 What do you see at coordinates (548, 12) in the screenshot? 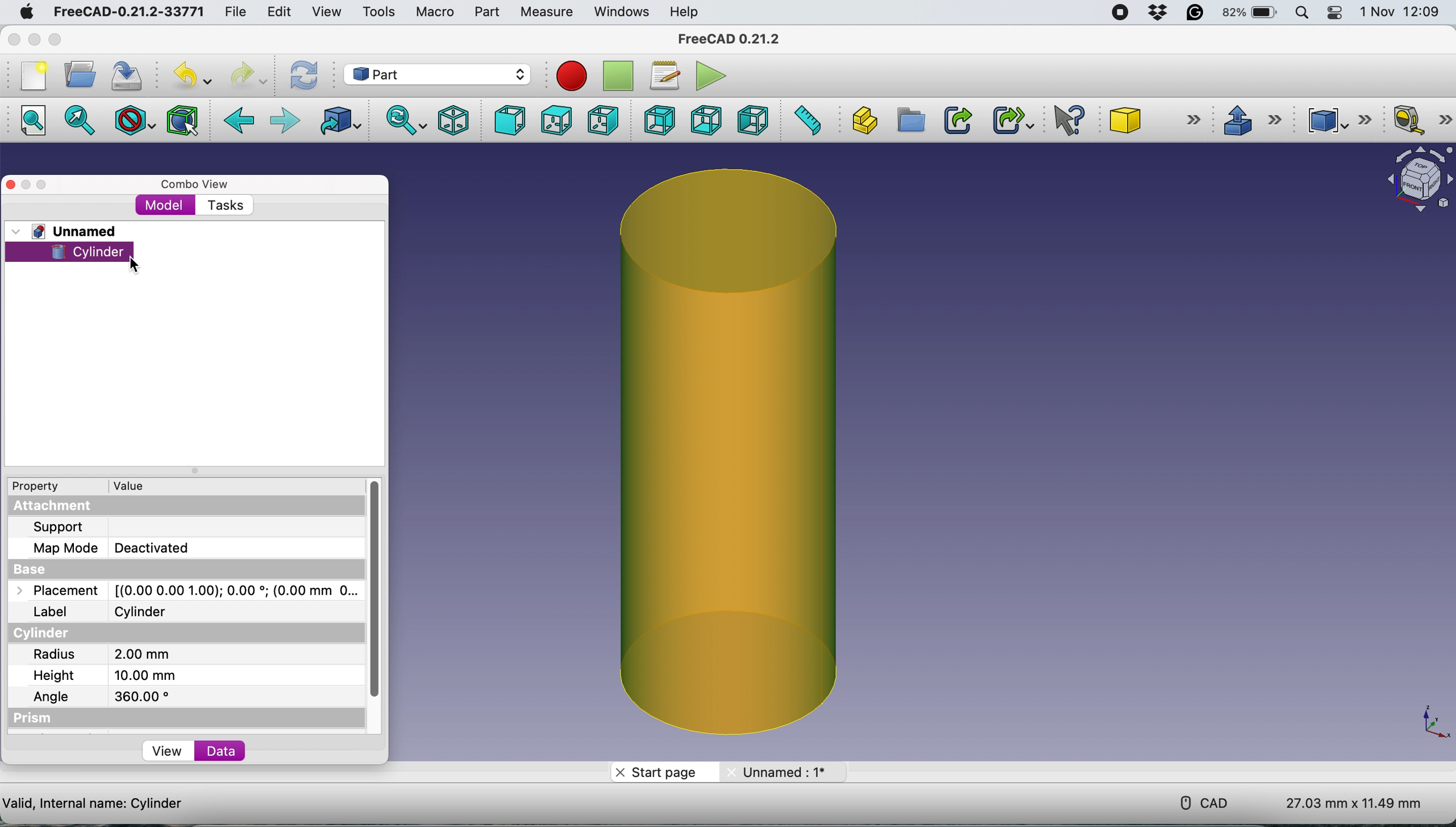
I see `measure` at bounding box center [548, 12].